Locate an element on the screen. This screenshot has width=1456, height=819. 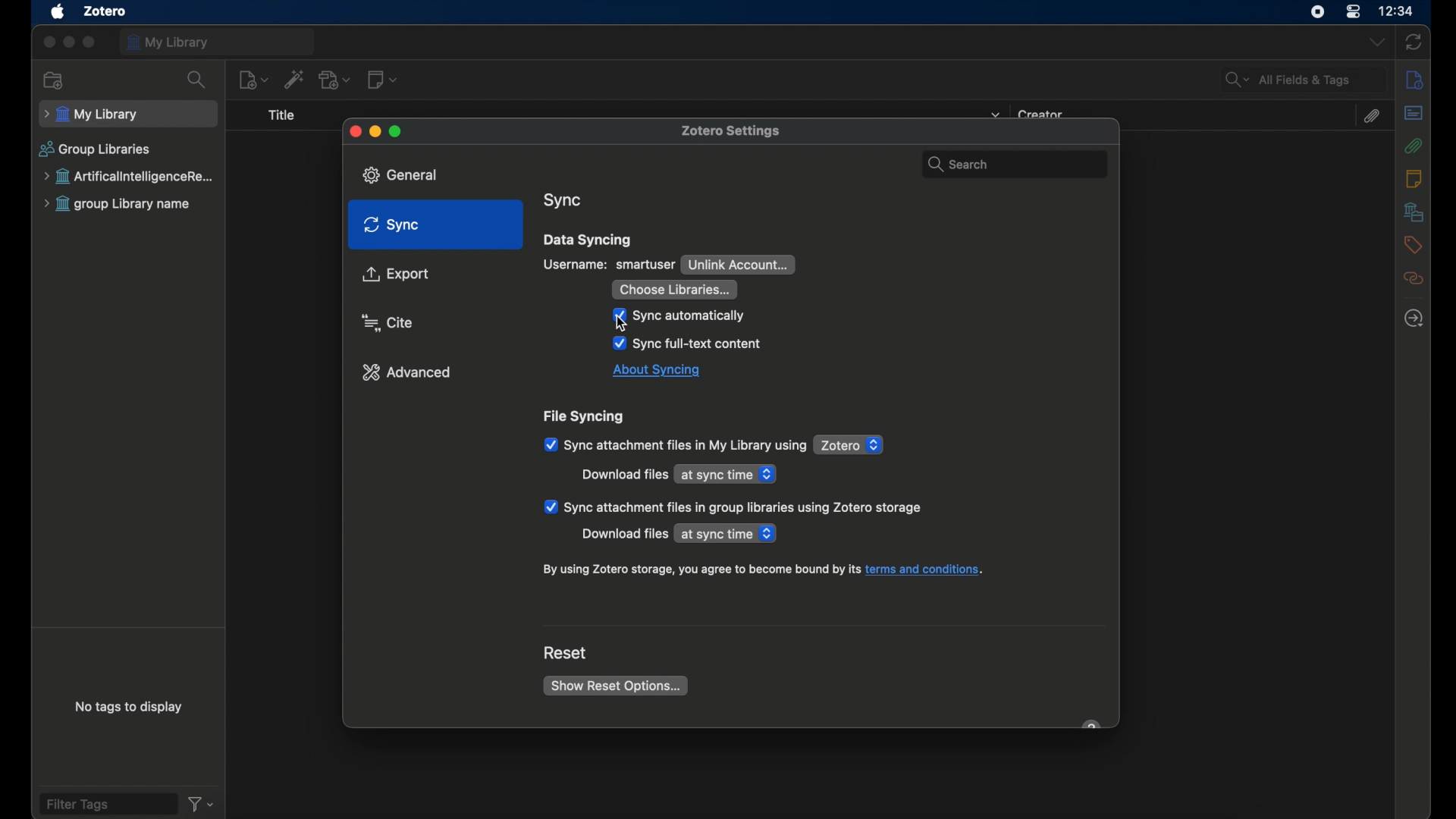
at sync time dropdown menu is located at coordinates (728, 534).